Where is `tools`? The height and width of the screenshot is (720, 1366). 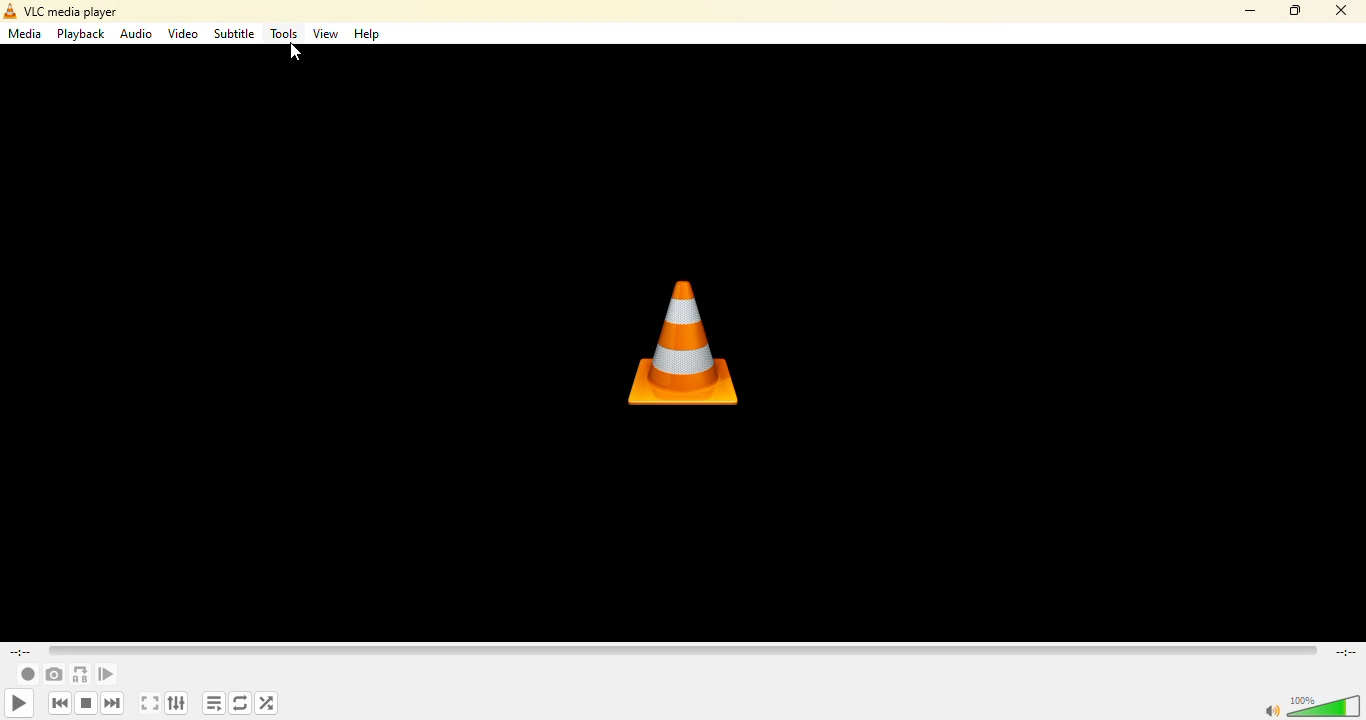
tools is located at coordinates (284, 34).